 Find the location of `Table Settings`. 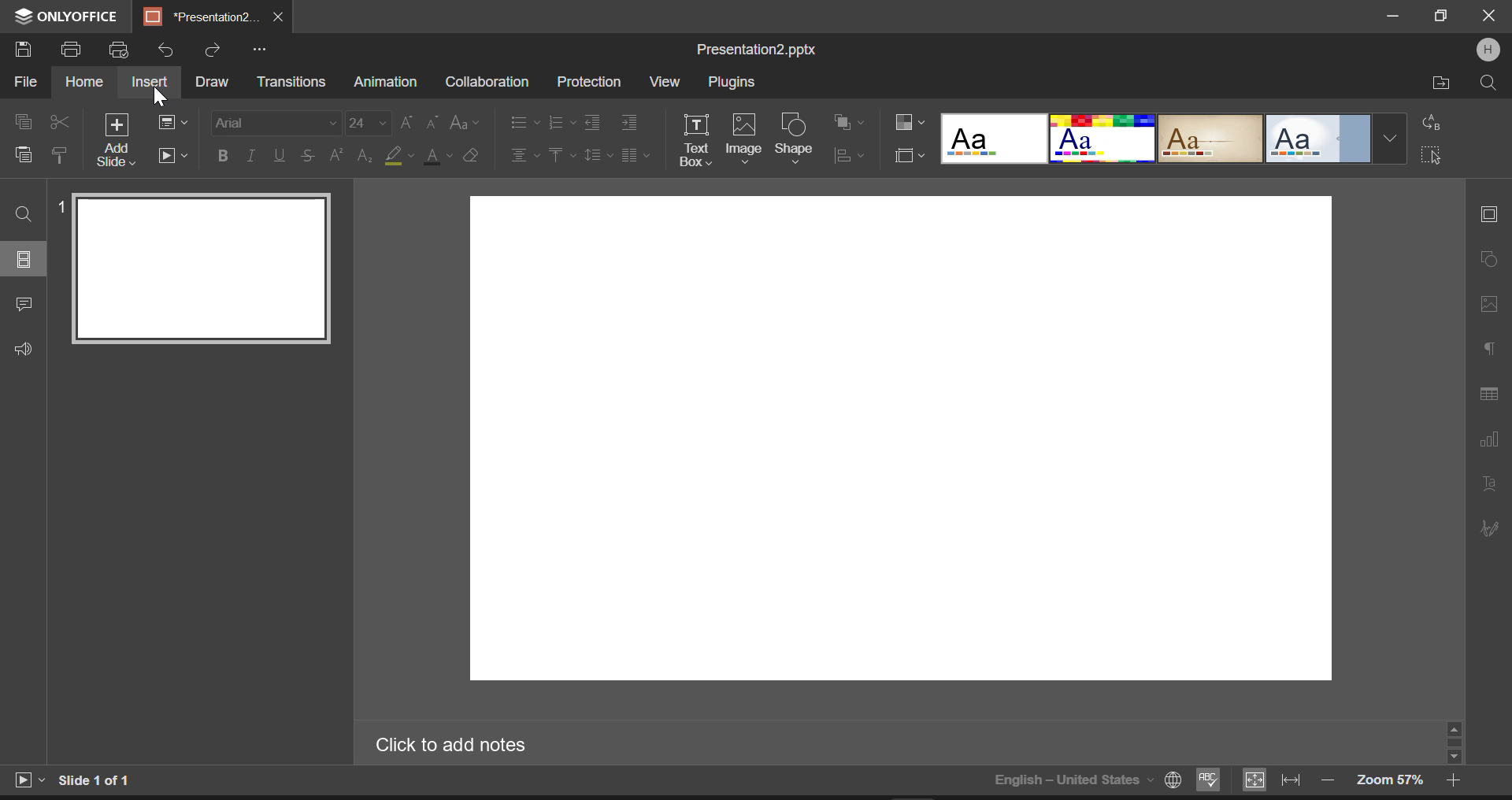

Table Settings is located at coordinates (1489, 394).